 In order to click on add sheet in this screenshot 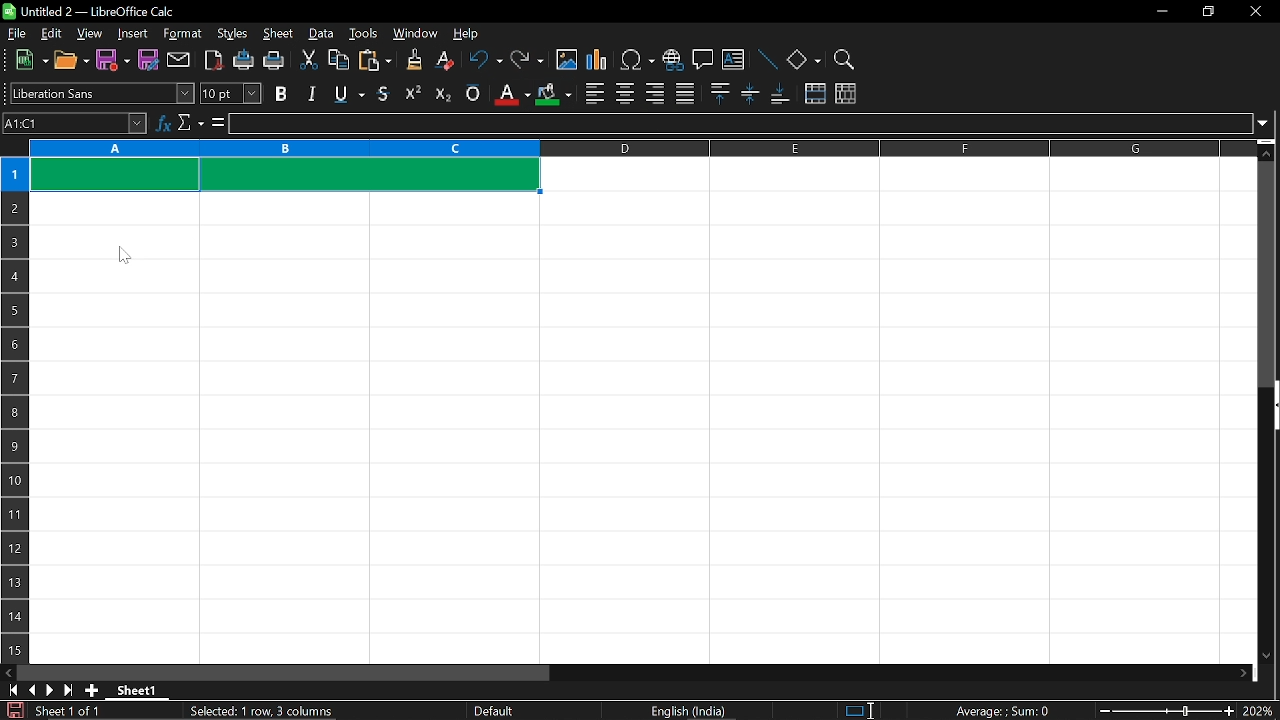, I will do `click(92, 691)`.